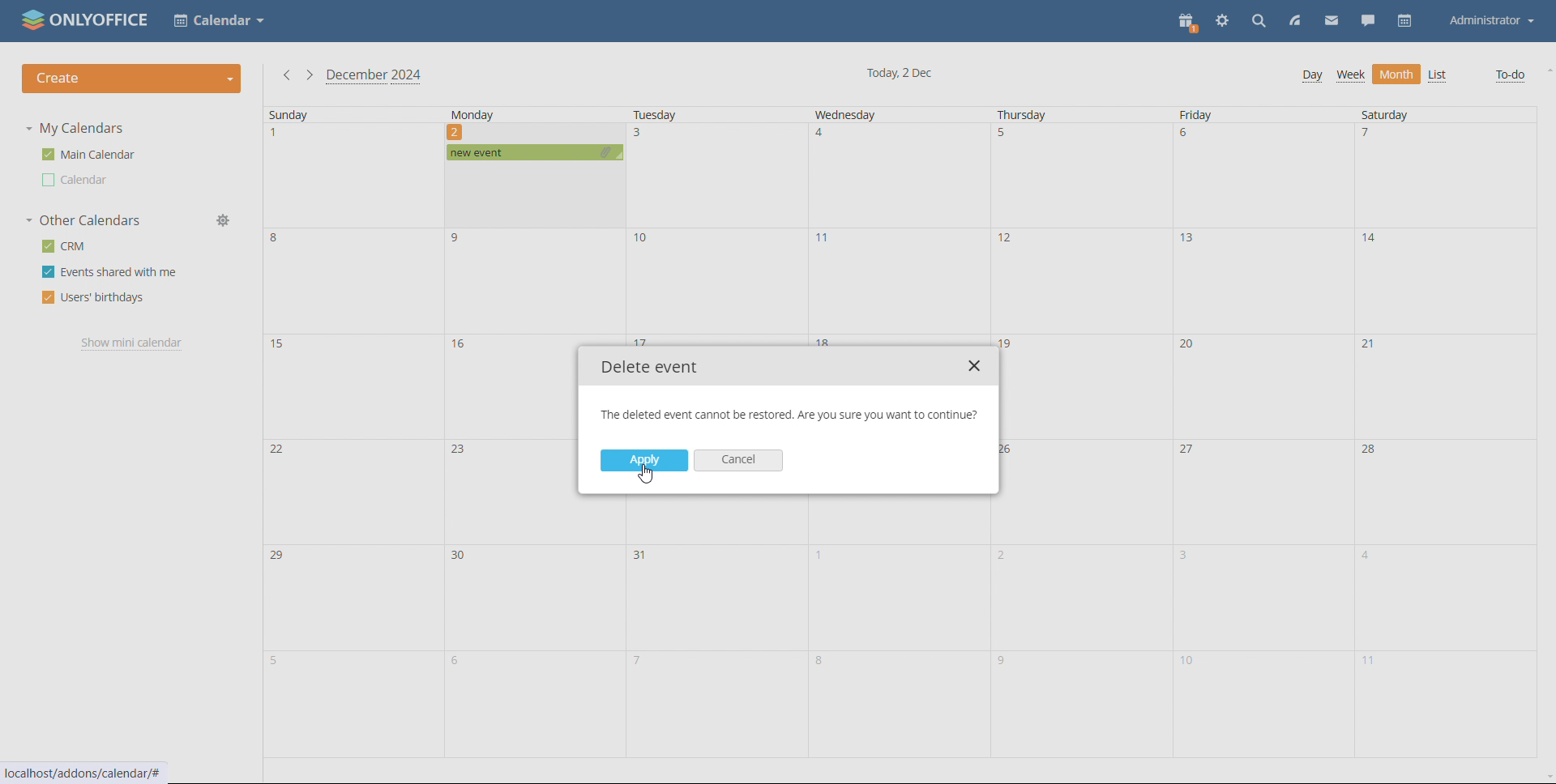  What do you see at coordinates (1191, 244) in the screenshot?
I see `13` at bounding box center [1191, 244].